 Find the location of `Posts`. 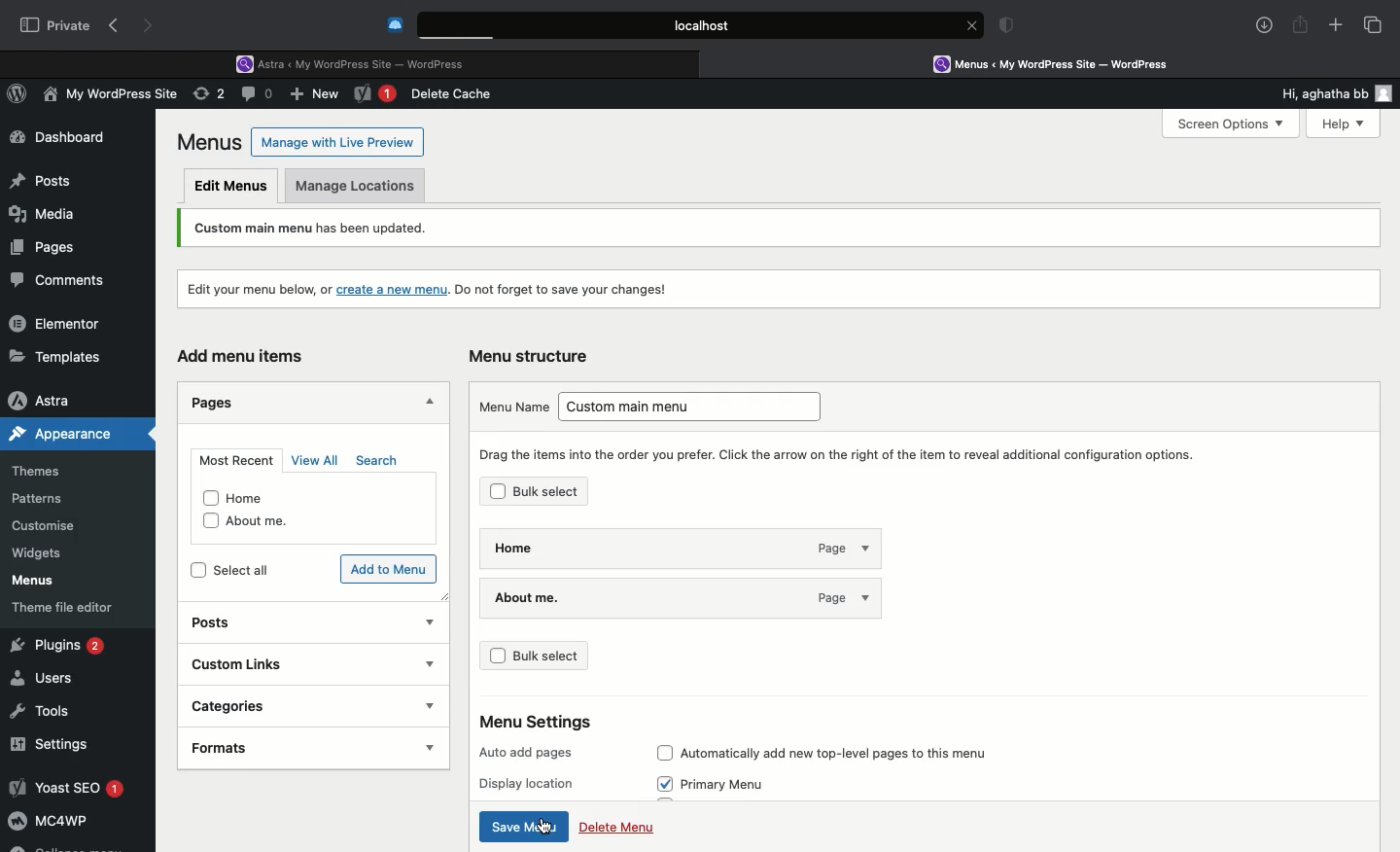

Posts is located at coordinates (40, 176).